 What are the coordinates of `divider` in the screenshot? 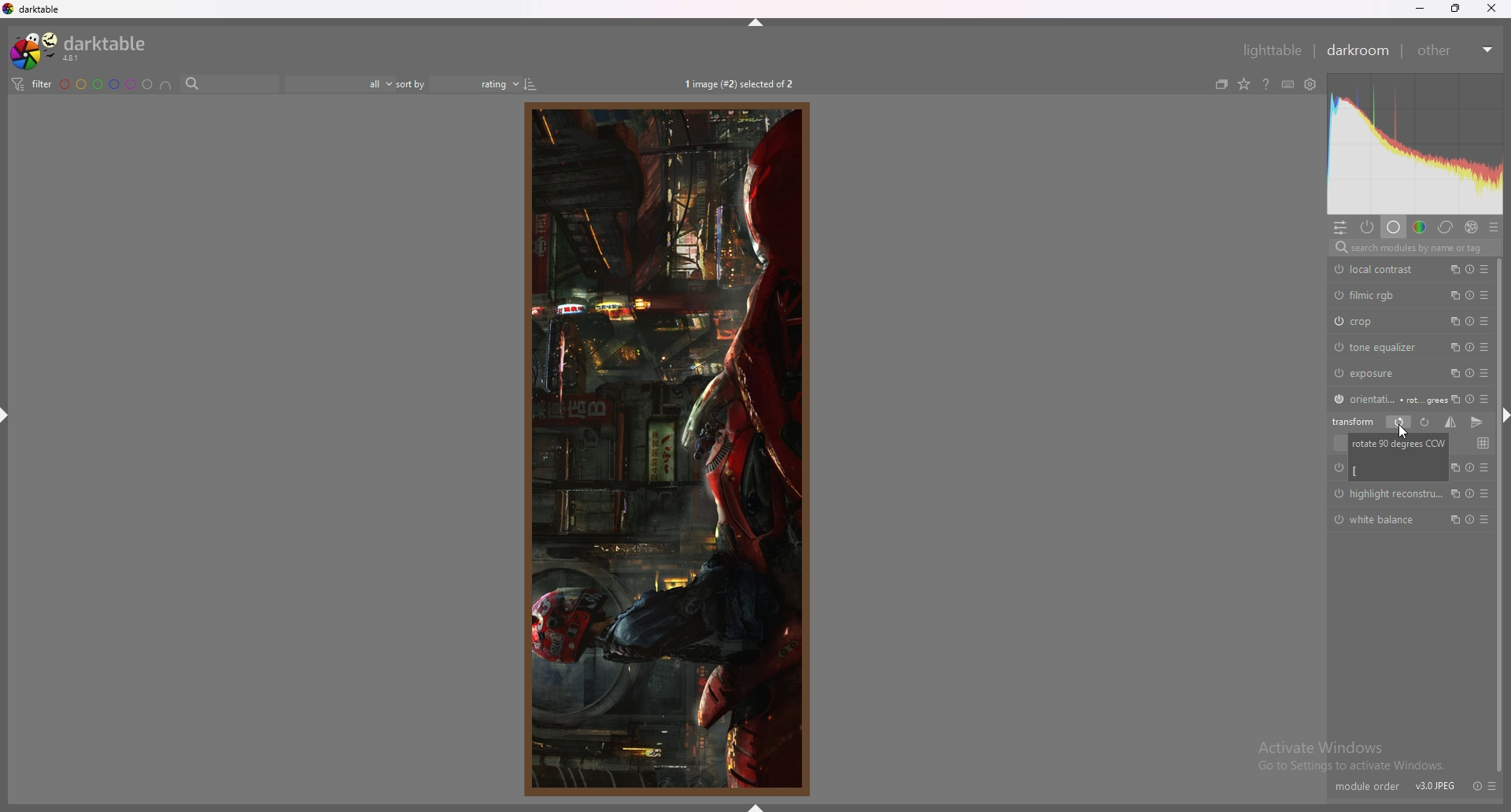 It's located at (1314, 51).